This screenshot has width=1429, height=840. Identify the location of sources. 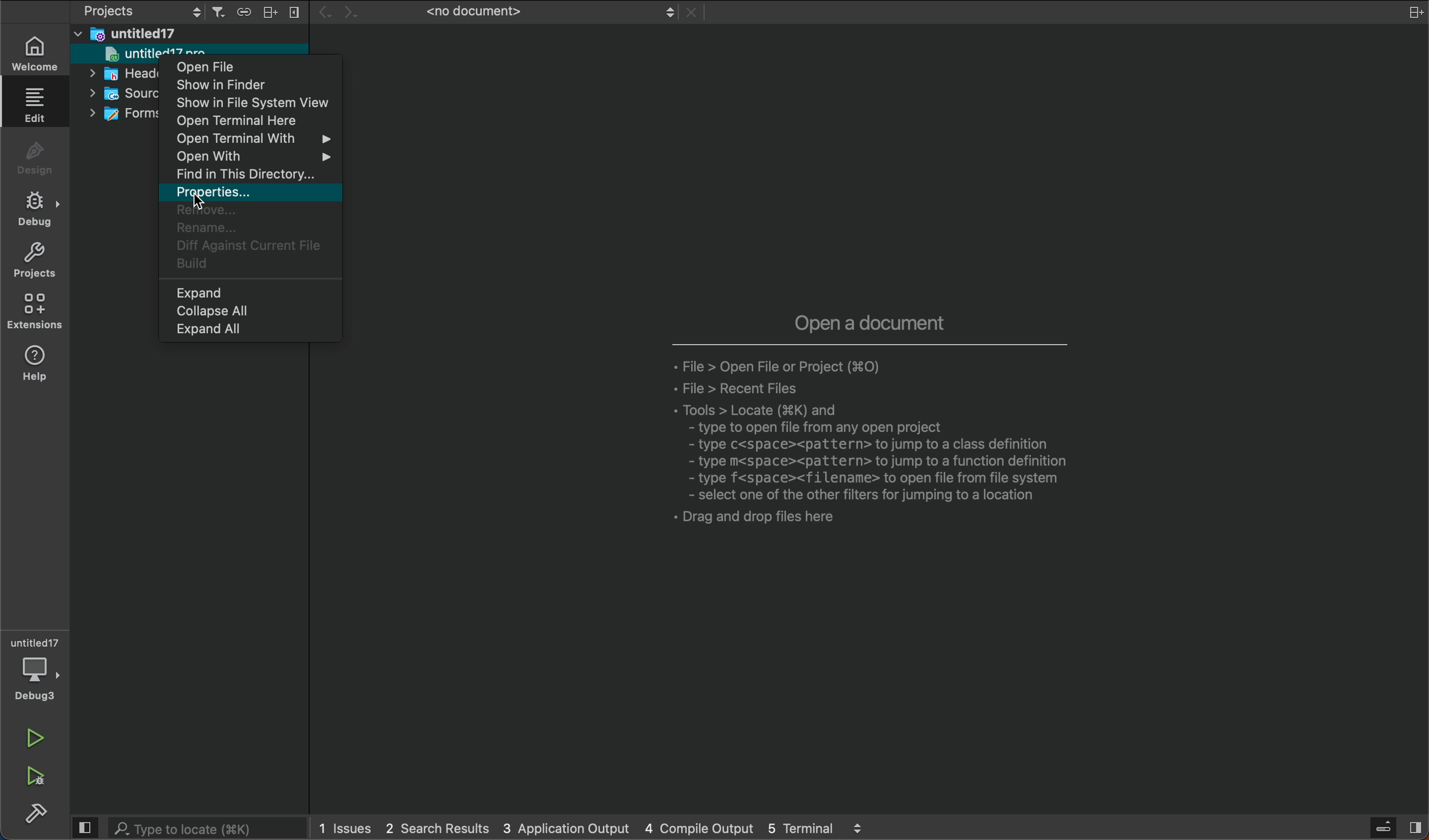
(117, 93).